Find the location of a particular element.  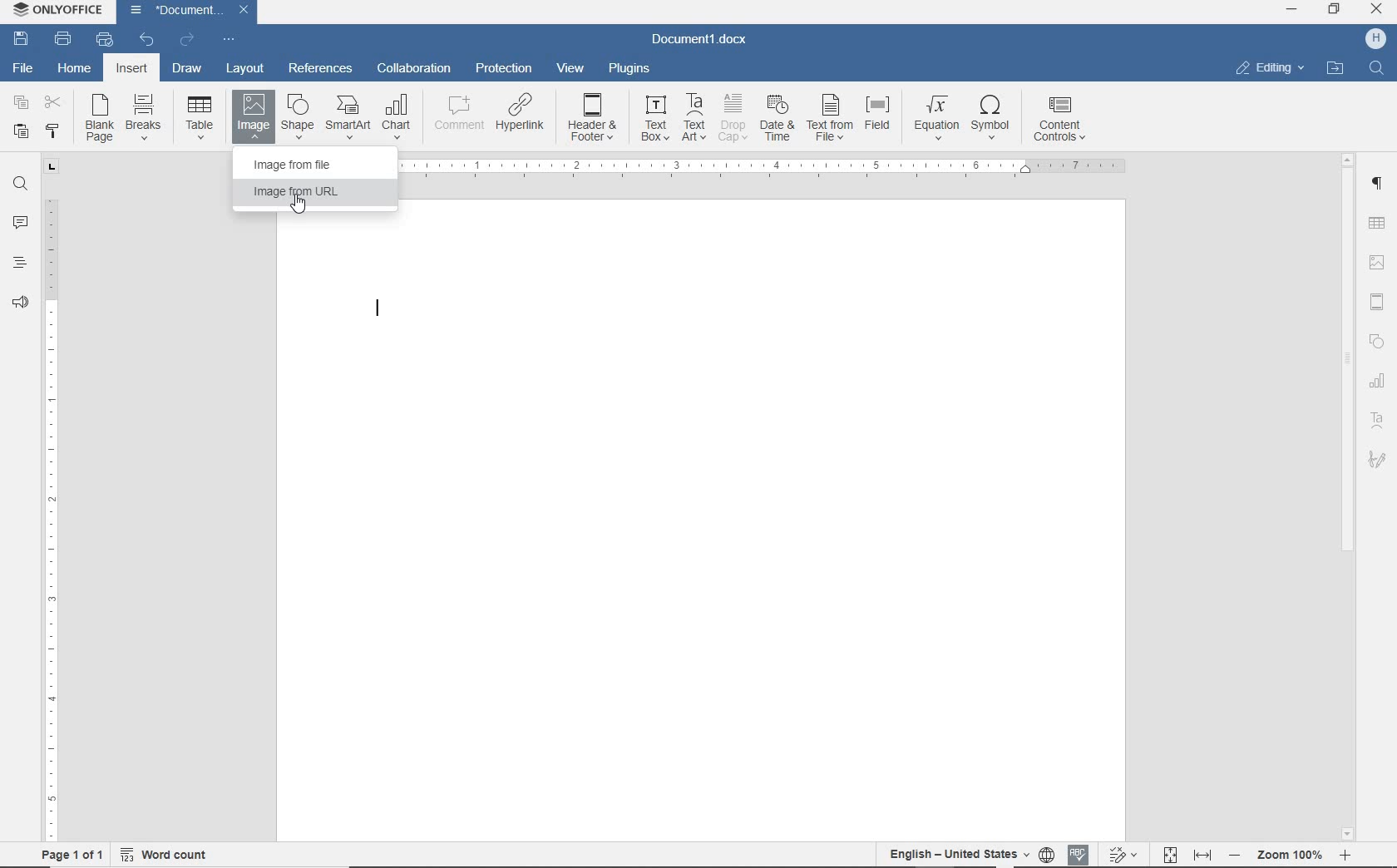

TextArt is located at coordinates (1380, 418).